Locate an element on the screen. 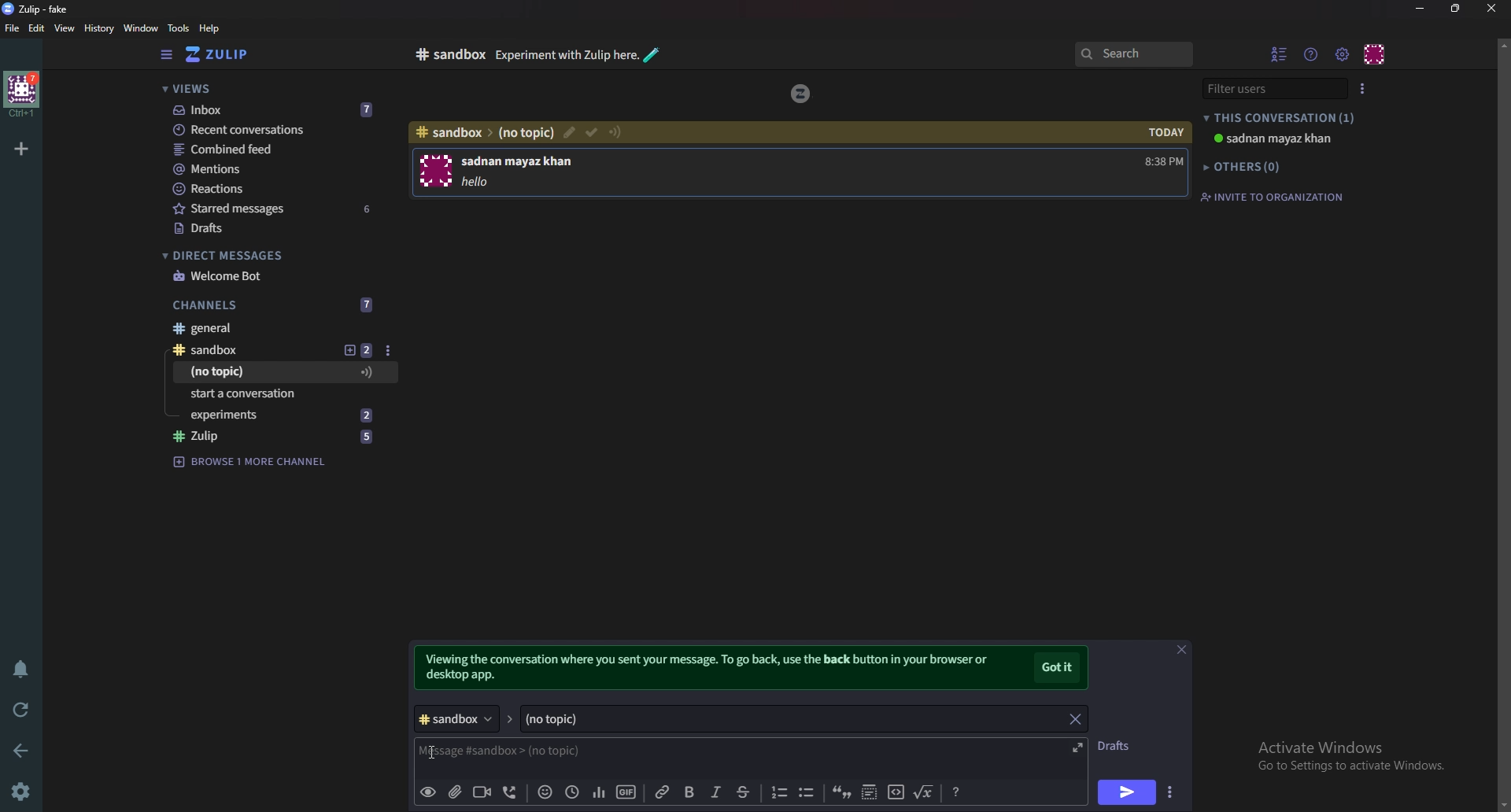 This screenshot has height=812, width=1511. Poll is located at coordinates (597, 793).